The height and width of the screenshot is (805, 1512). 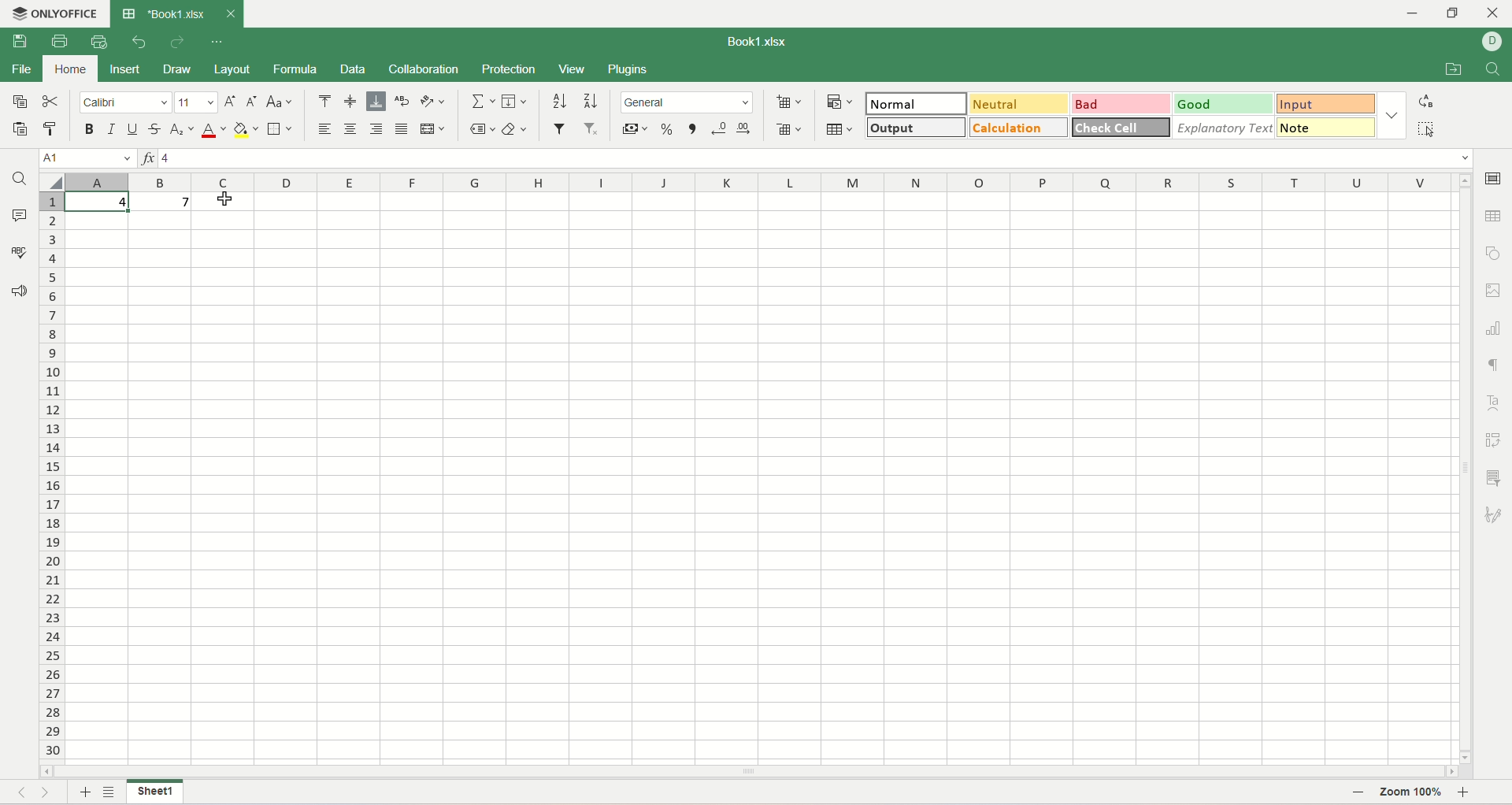 I want to click on background color, so click(x=246, y=128).